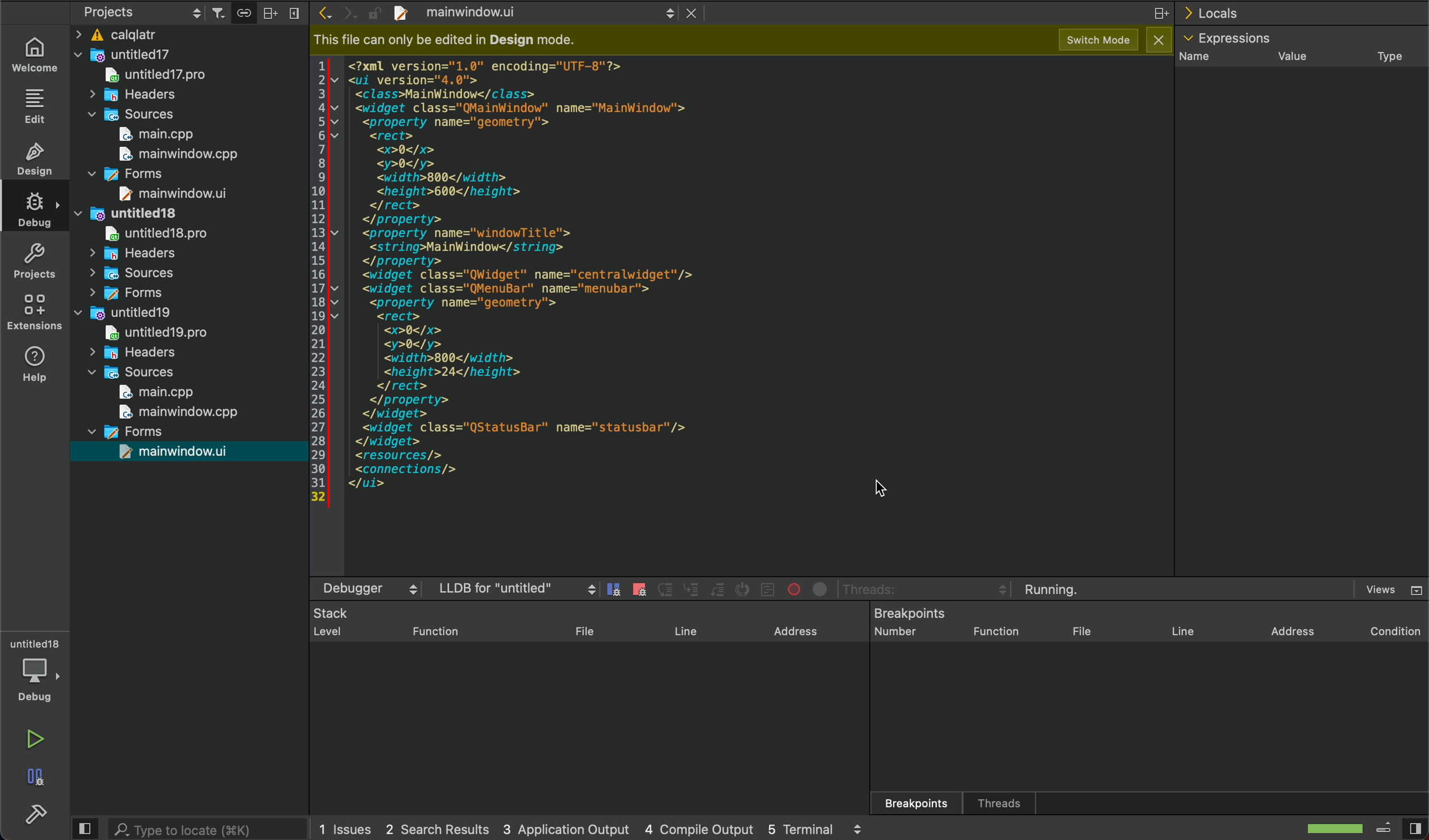 The width and height of the screenshot is (1429, 840). Describe the element at coordinates (770, 589) in the screenshot. I see `terminal button` at that location.